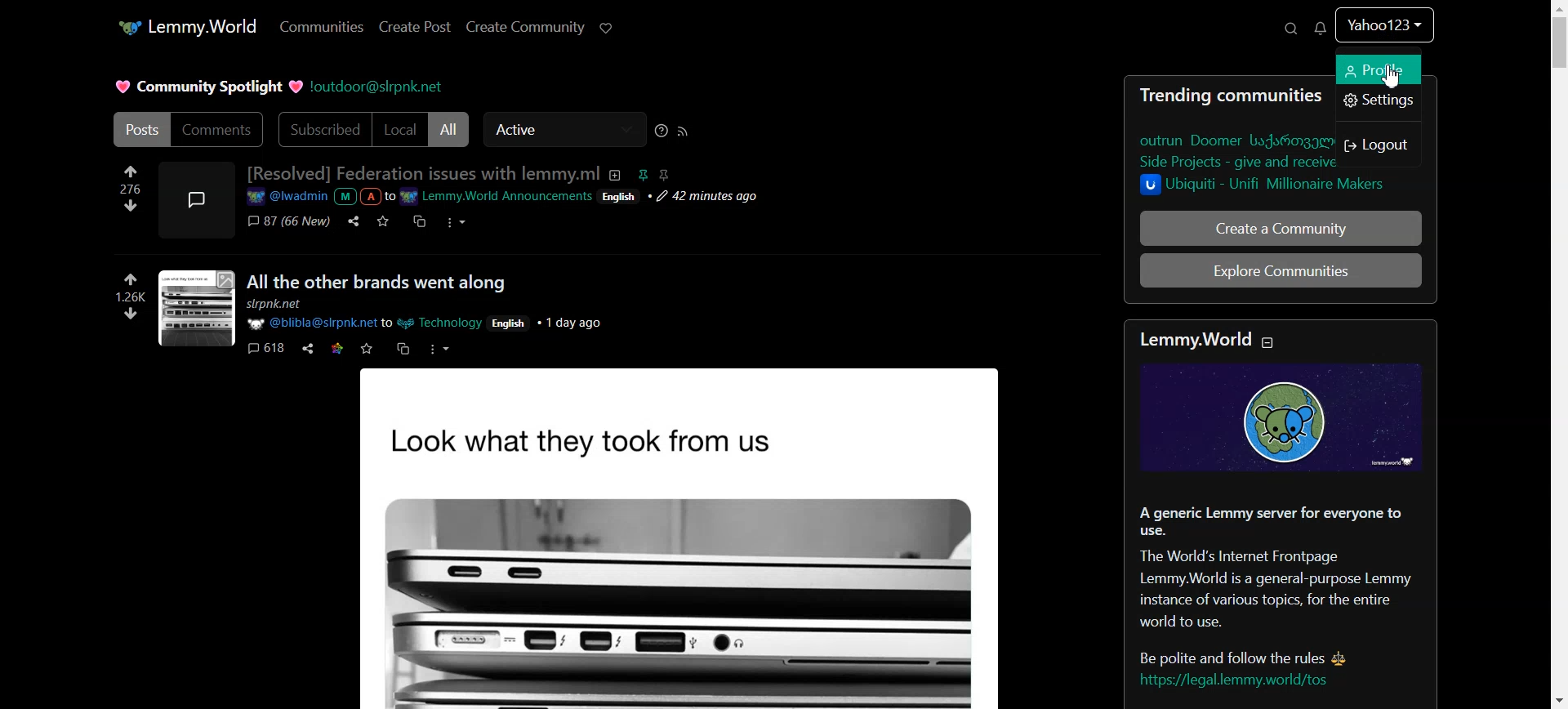  Describe the element at coordinates (197, 200) in the screenshot. I see `Profile pic` at that location.